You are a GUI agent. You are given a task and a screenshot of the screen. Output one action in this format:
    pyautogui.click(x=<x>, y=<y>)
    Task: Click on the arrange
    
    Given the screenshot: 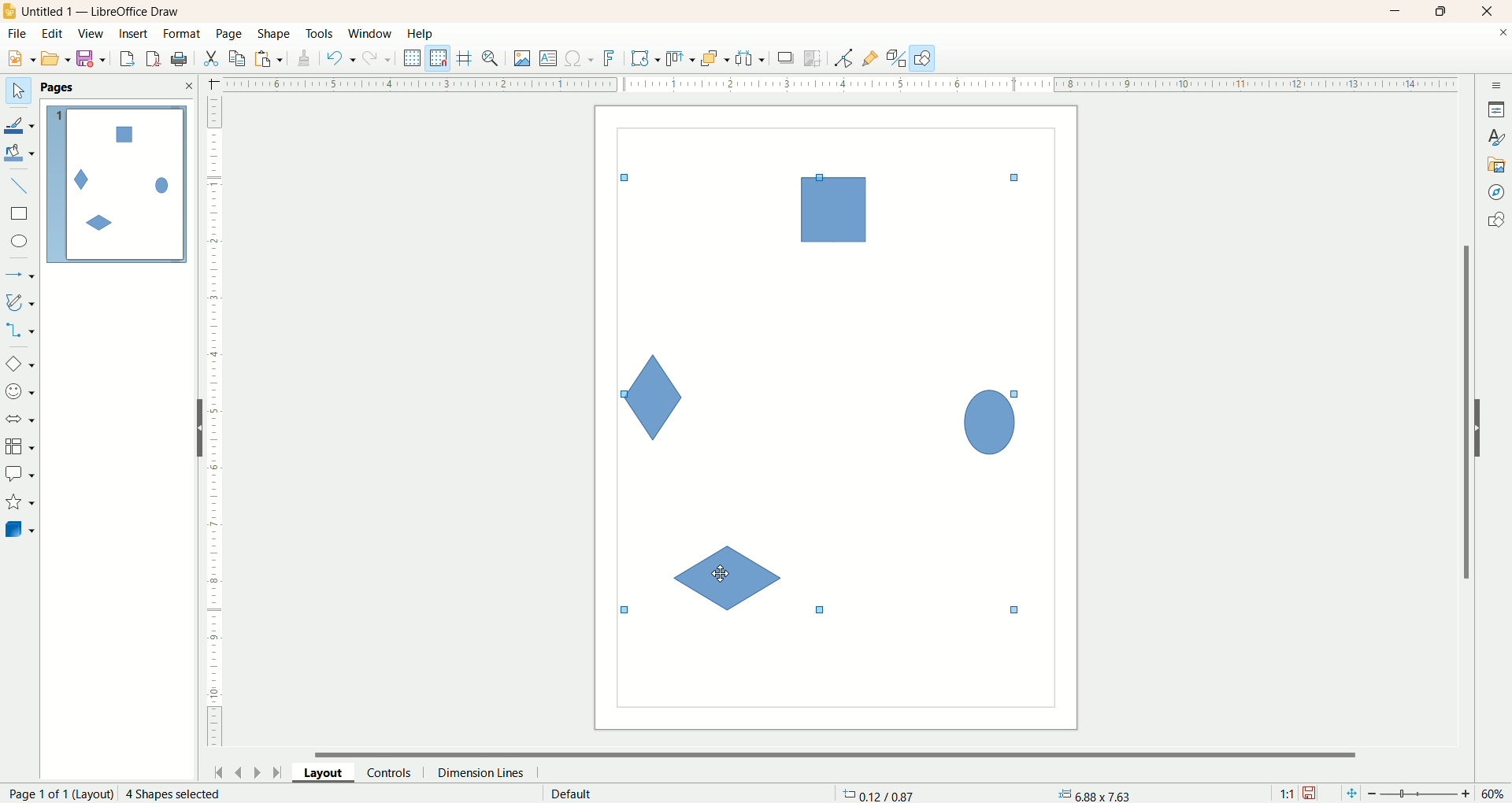 What is the action you would take?
    pyautogui.click(x=716, y=57)
    